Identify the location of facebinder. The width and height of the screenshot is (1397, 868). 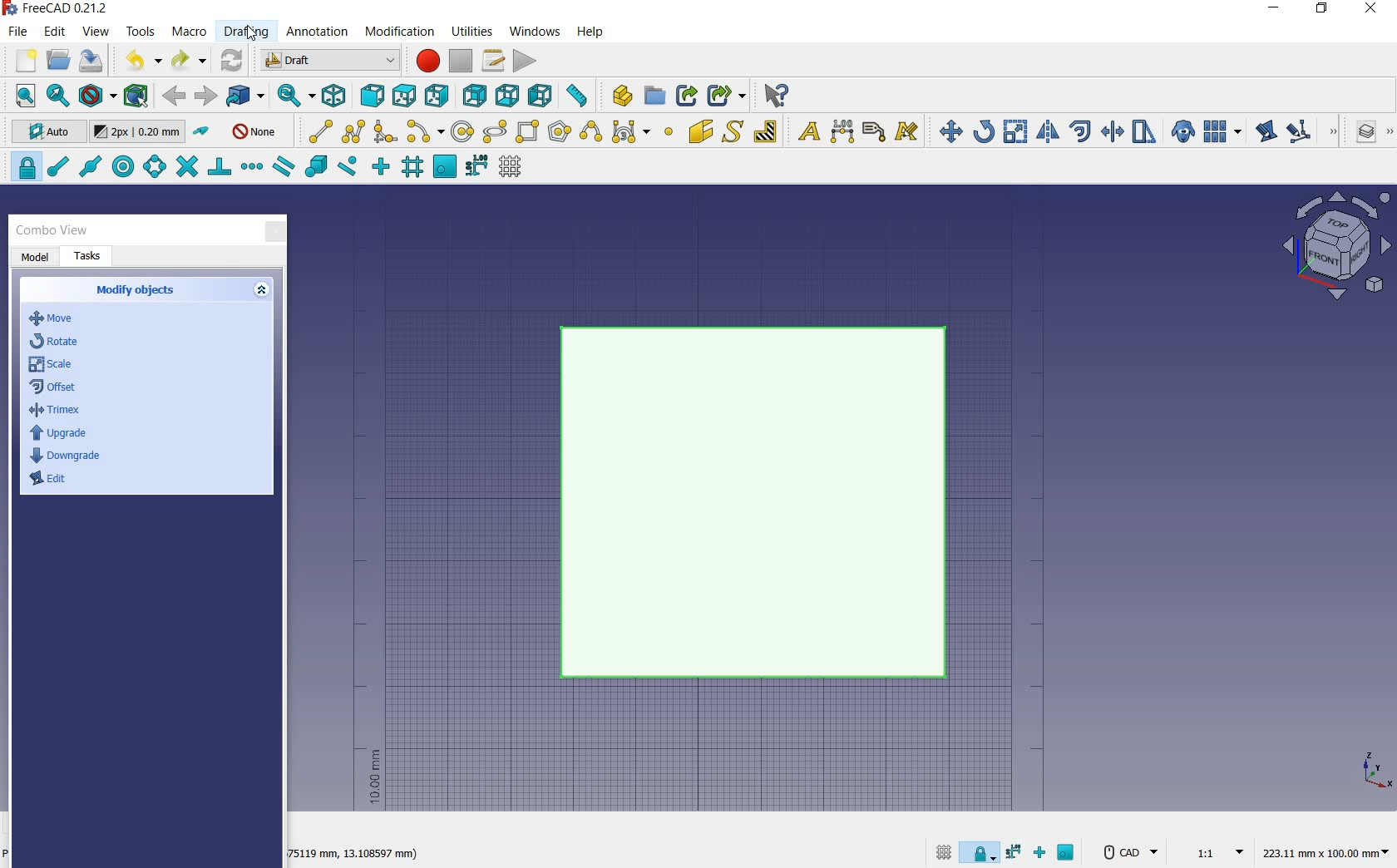
(700, 135).